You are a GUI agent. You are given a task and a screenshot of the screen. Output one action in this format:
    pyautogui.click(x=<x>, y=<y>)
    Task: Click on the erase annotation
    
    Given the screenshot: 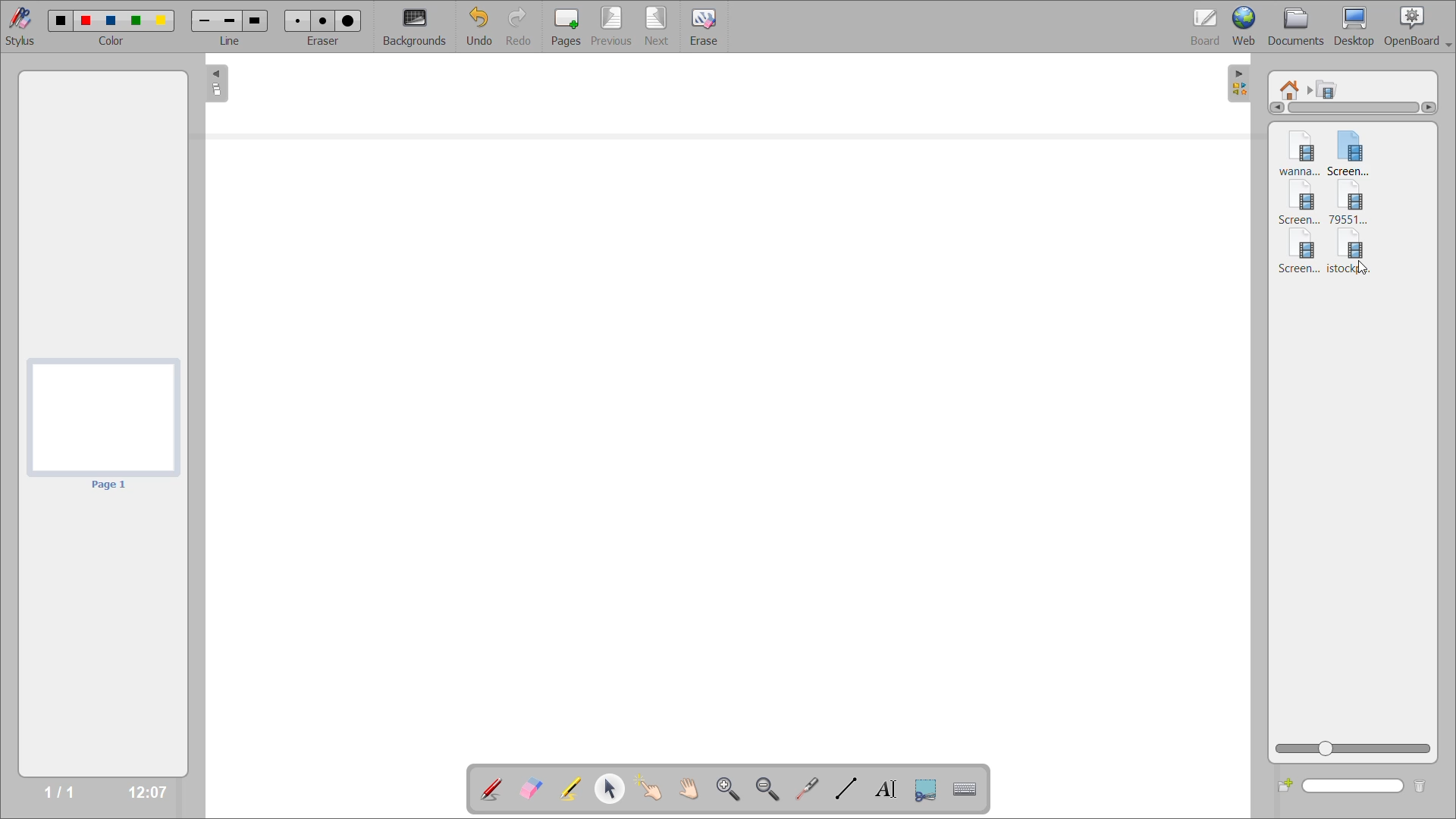 What is the action you would take?
    pyautogui.click(x=529, y=787)
    